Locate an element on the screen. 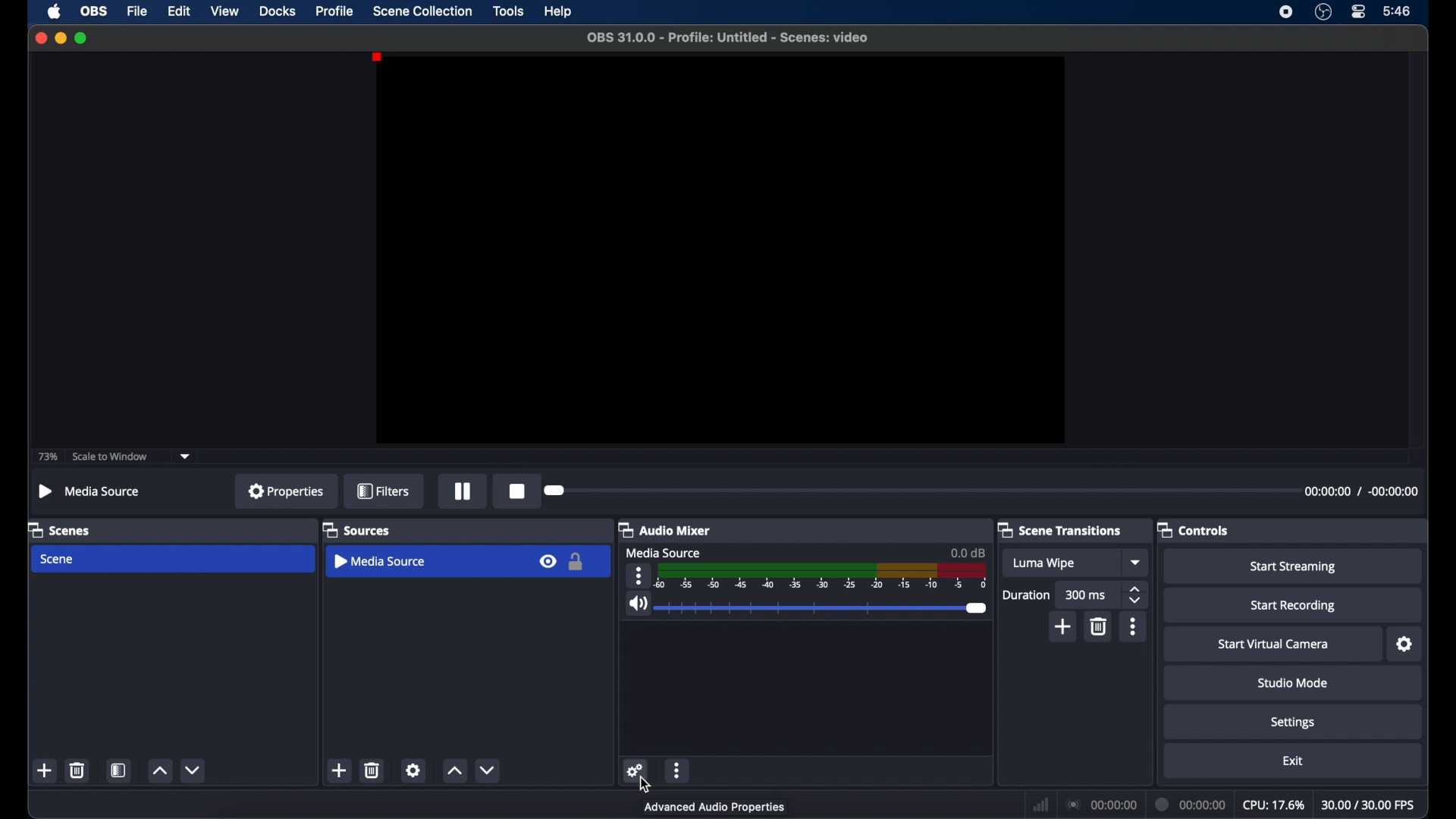 This screenshot has width=1456, height=819. maximize is located at coordinates (82, 38).